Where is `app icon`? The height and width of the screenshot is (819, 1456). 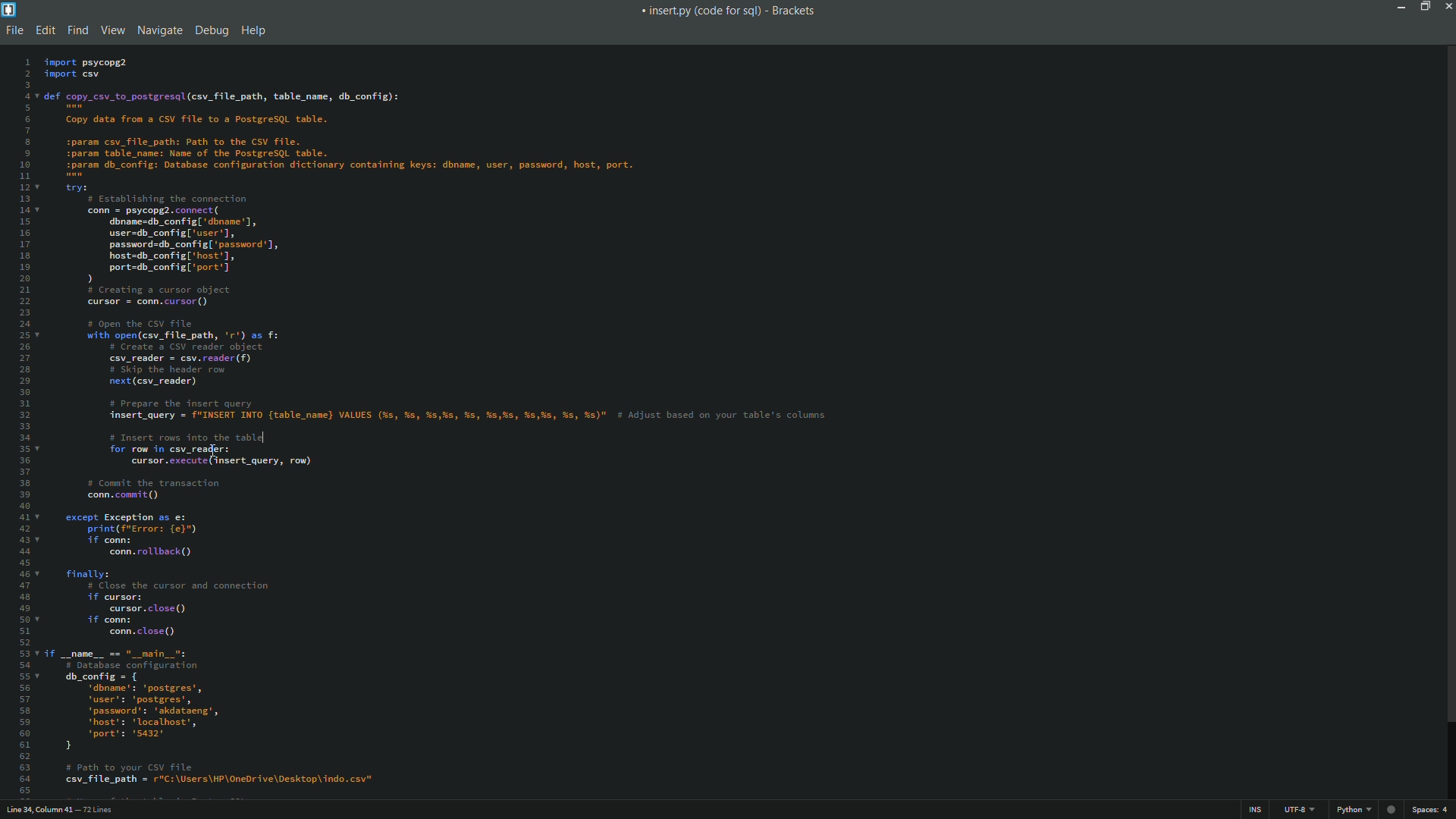
app icon is located at coordinates (9, 10).